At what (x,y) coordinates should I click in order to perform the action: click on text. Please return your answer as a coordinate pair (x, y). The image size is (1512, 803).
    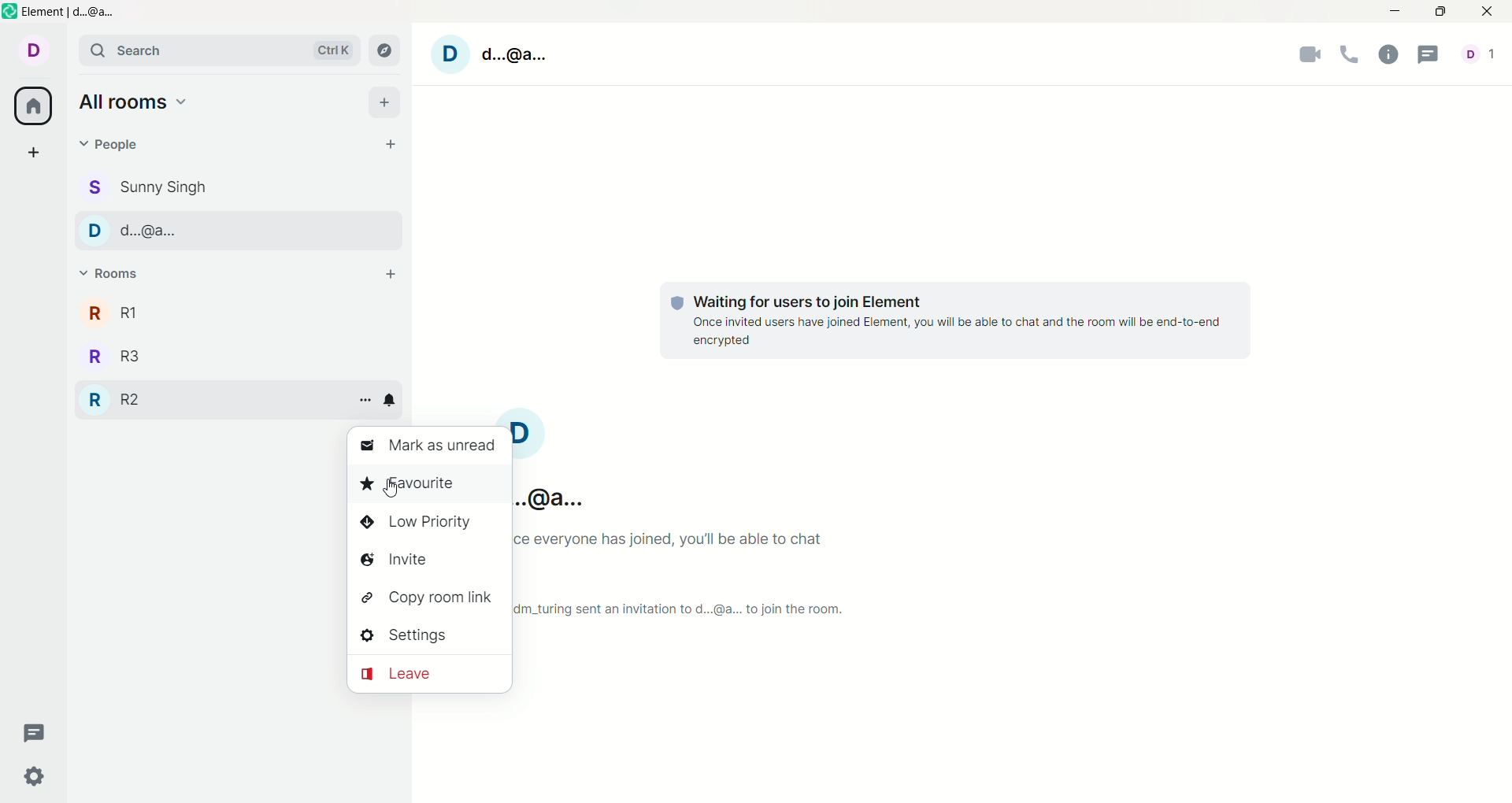
    Looking at the image, I should click on (955, 316).